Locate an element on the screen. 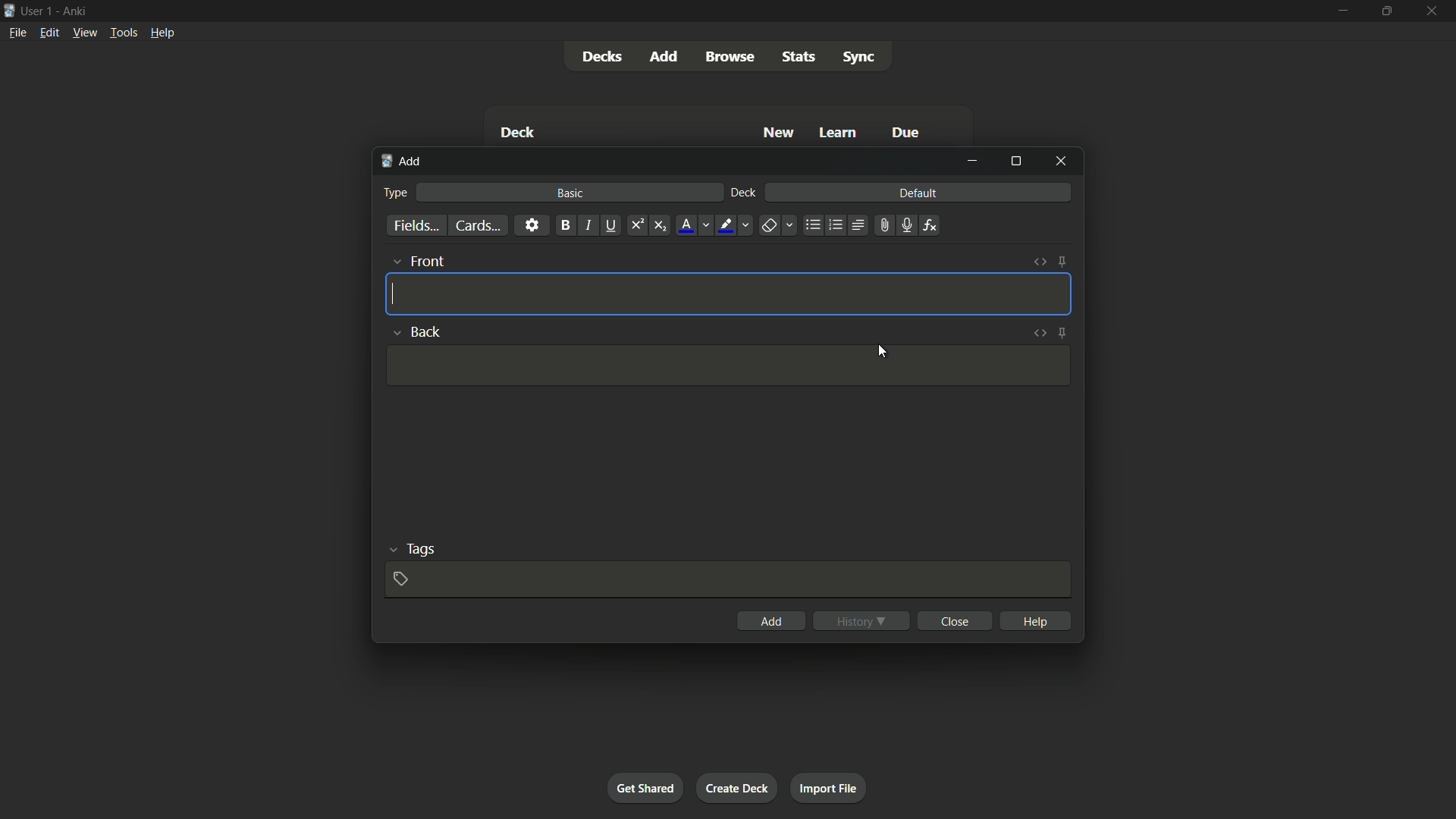 Image resolution: width=1456 pixels, height=819 pixels. maximize is located at coordinates (1389, 11).